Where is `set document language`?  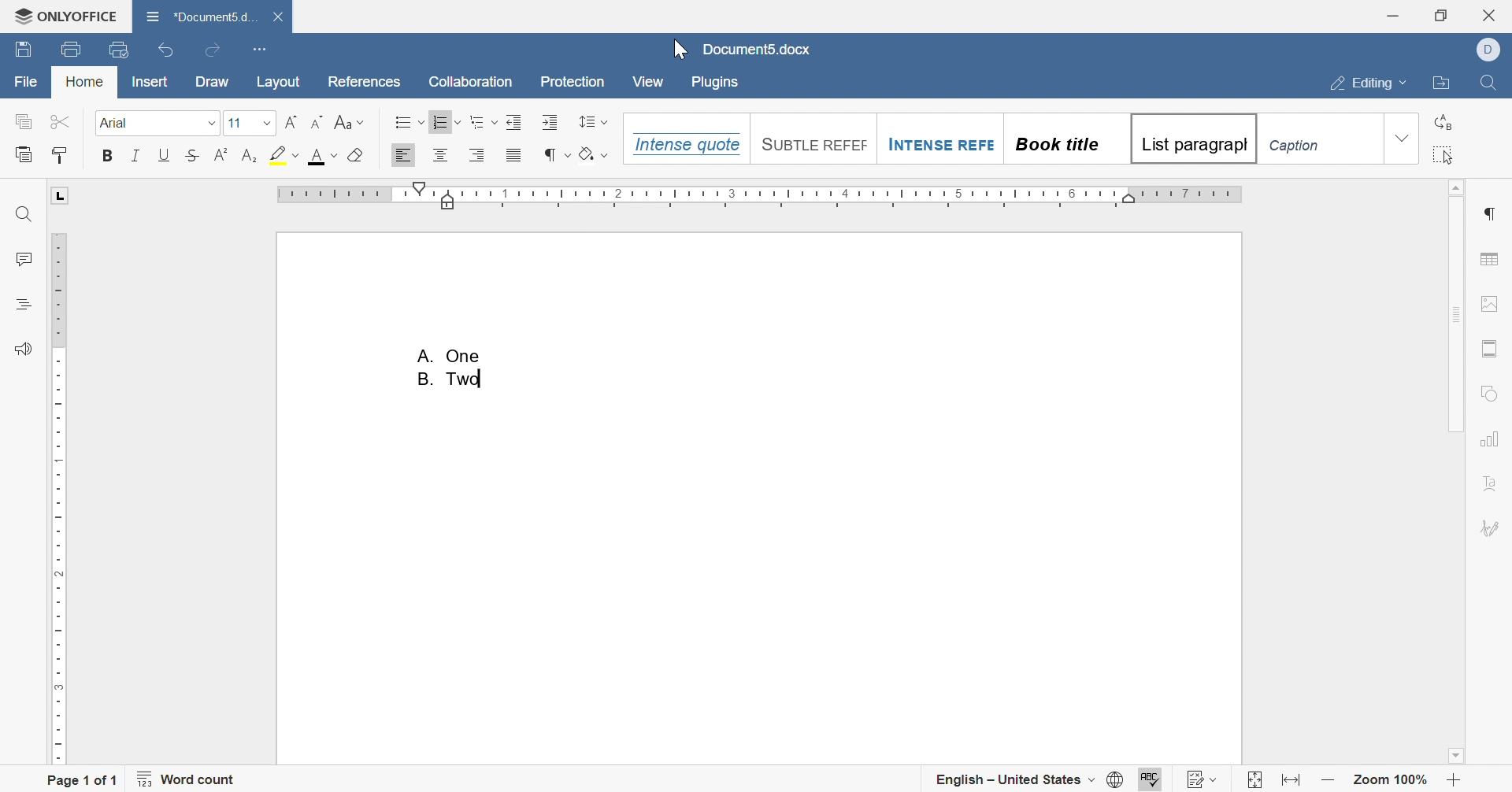
set document language is located at coordinates (1029, 781).